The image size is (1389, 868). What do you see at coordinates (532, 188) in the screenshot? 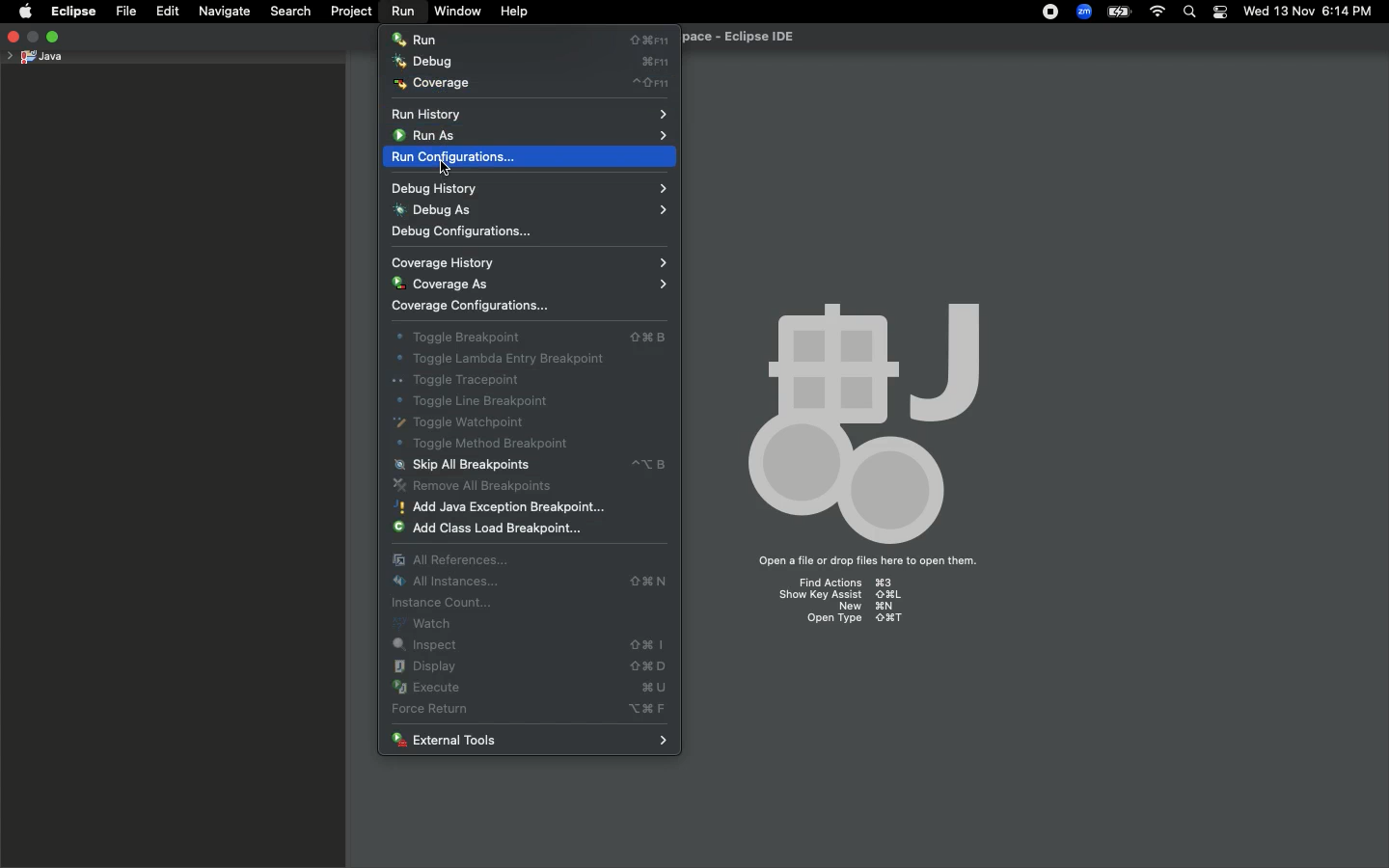
I see `Debug history` at bounding box center [532, 188].